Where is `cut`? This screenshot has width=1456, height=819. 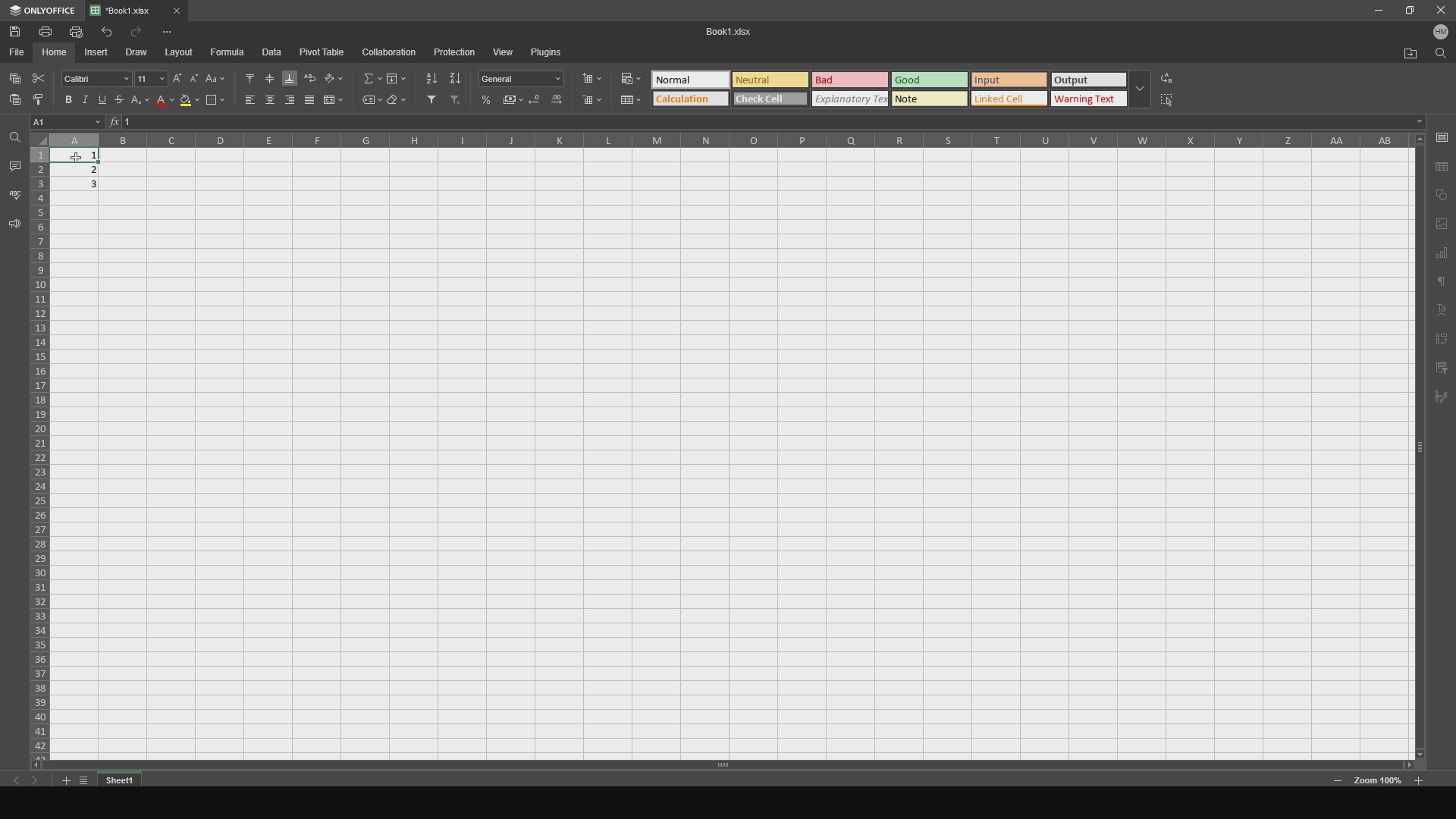
cut is located at coordinates (40, 76).